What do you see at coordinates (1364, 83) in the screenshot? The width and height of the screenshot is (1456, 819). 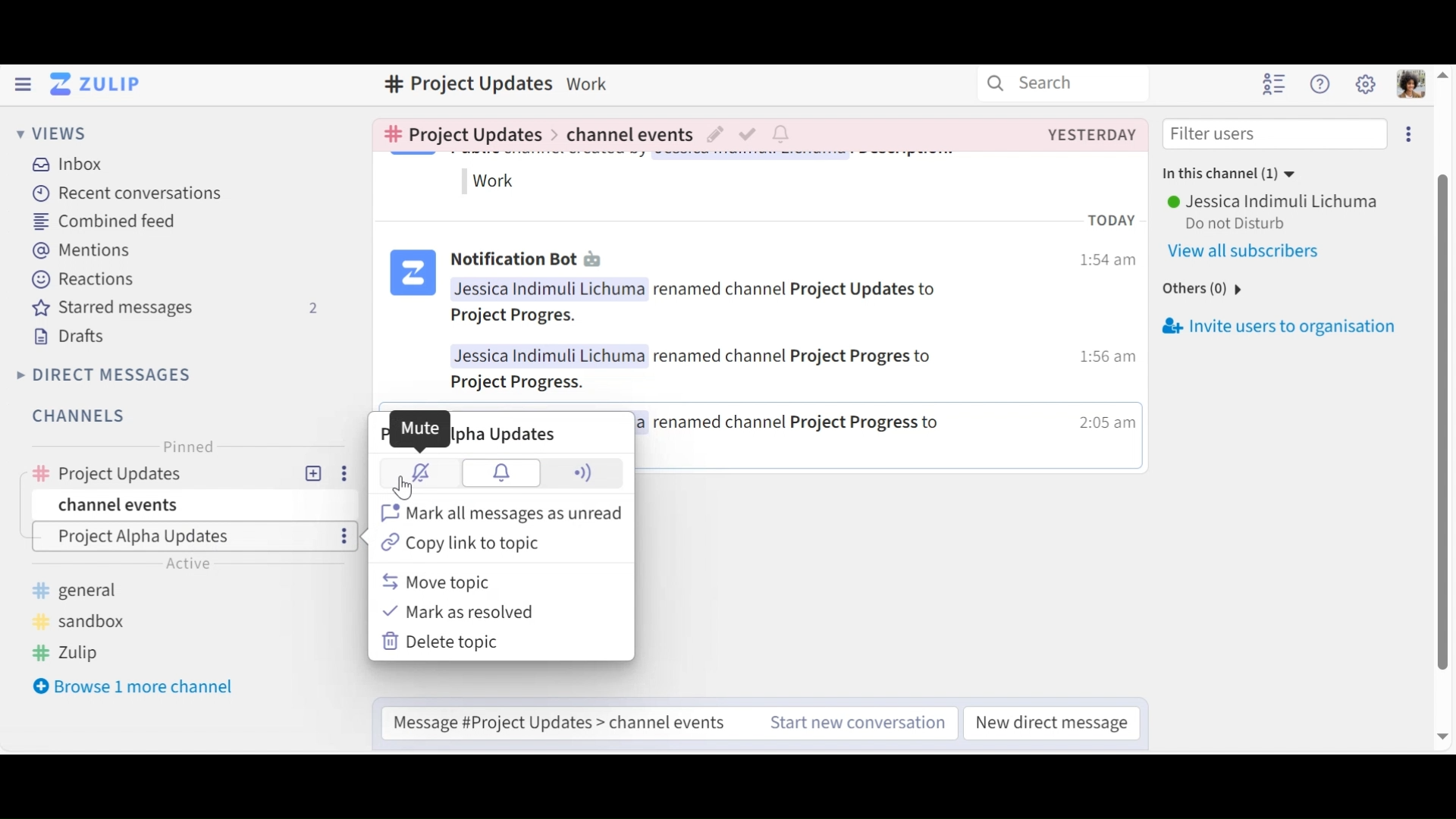 I see `Main menu` at bounding box center [1364, 83].